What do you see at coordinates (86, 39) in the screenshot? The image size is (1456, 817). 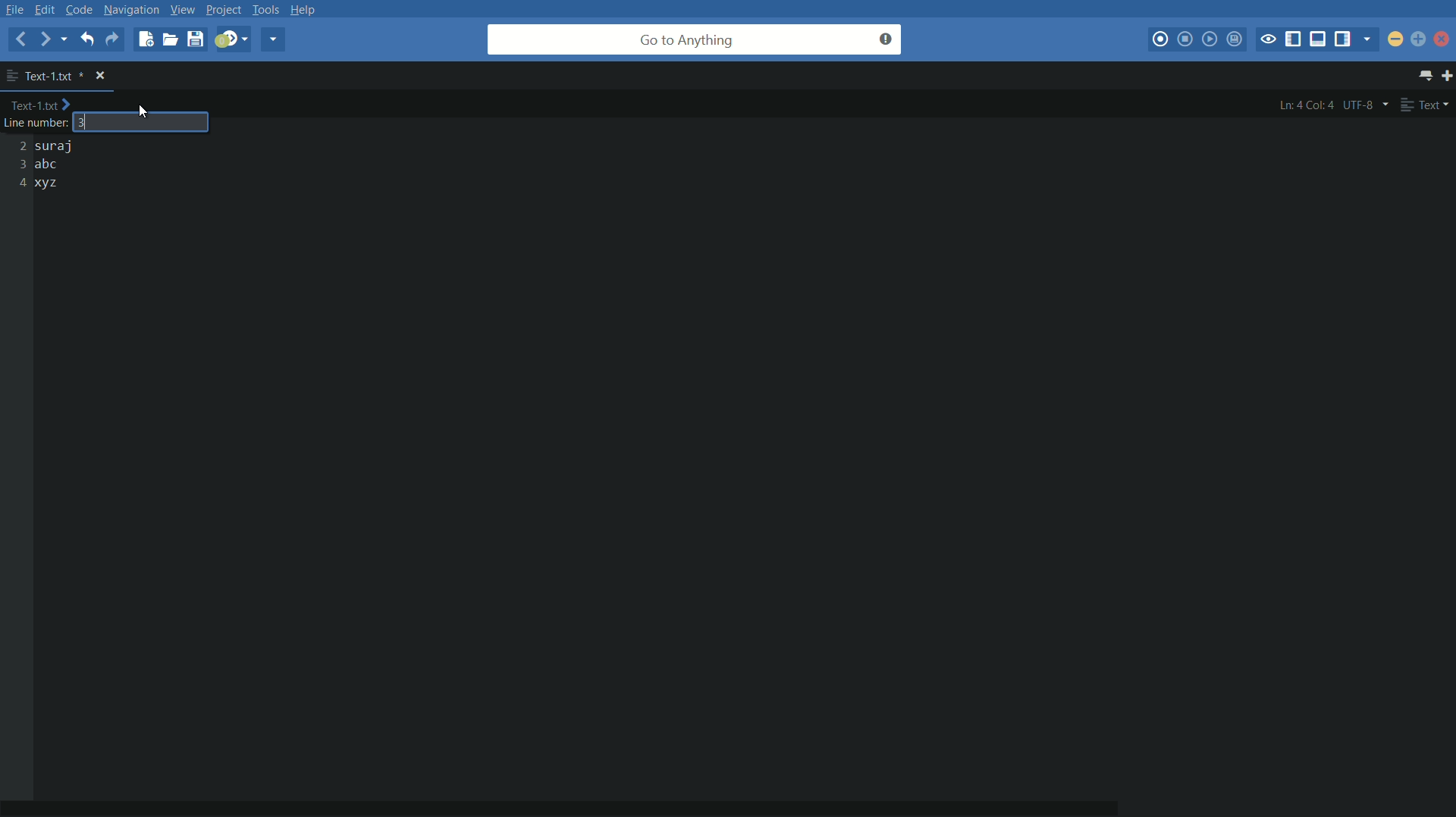 I see `undo` at bounding box center [86, 39].